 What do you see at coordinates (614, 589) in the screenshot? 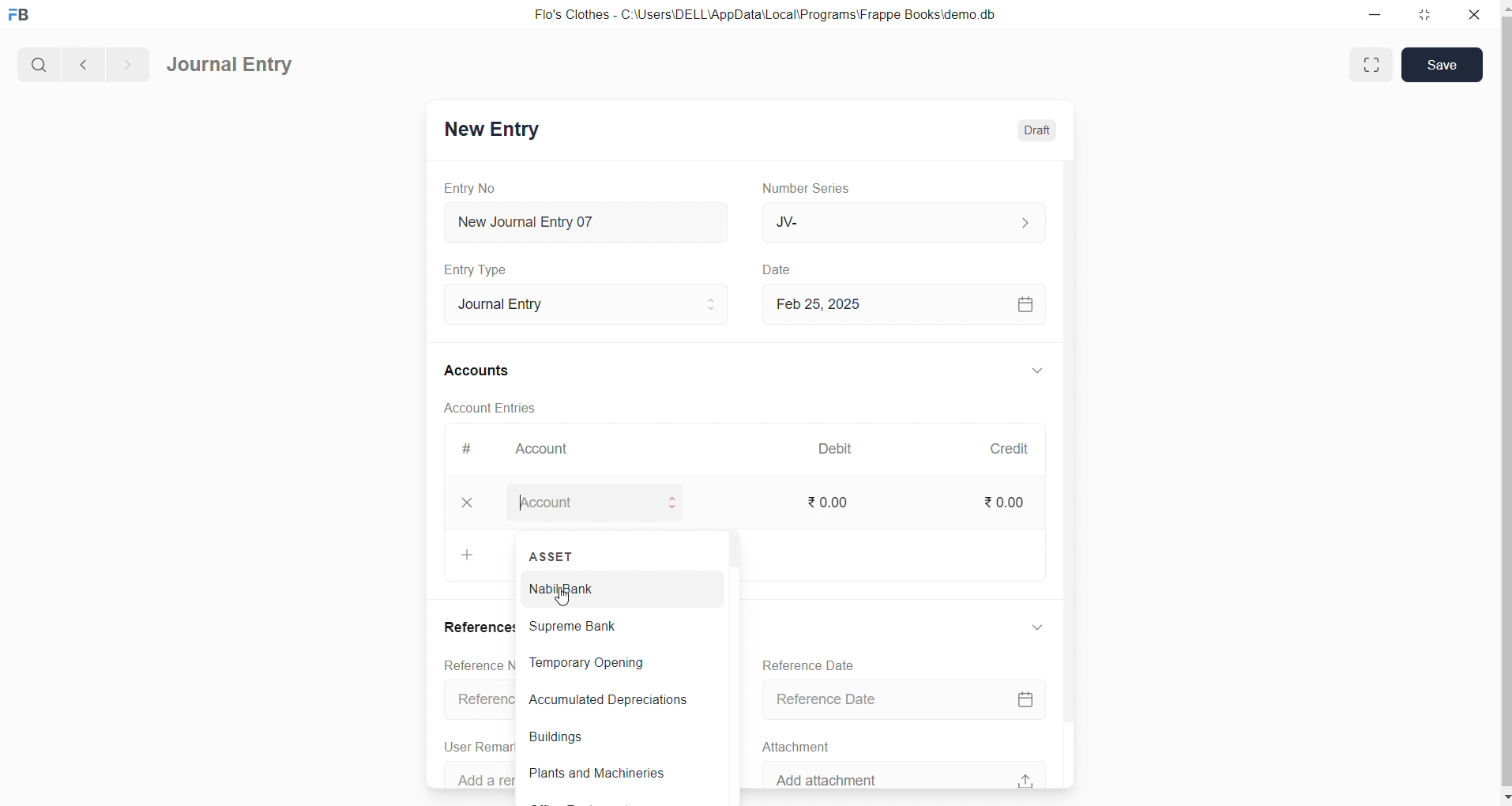
I see `Nabil Bank` at bounding box center [614, 589].